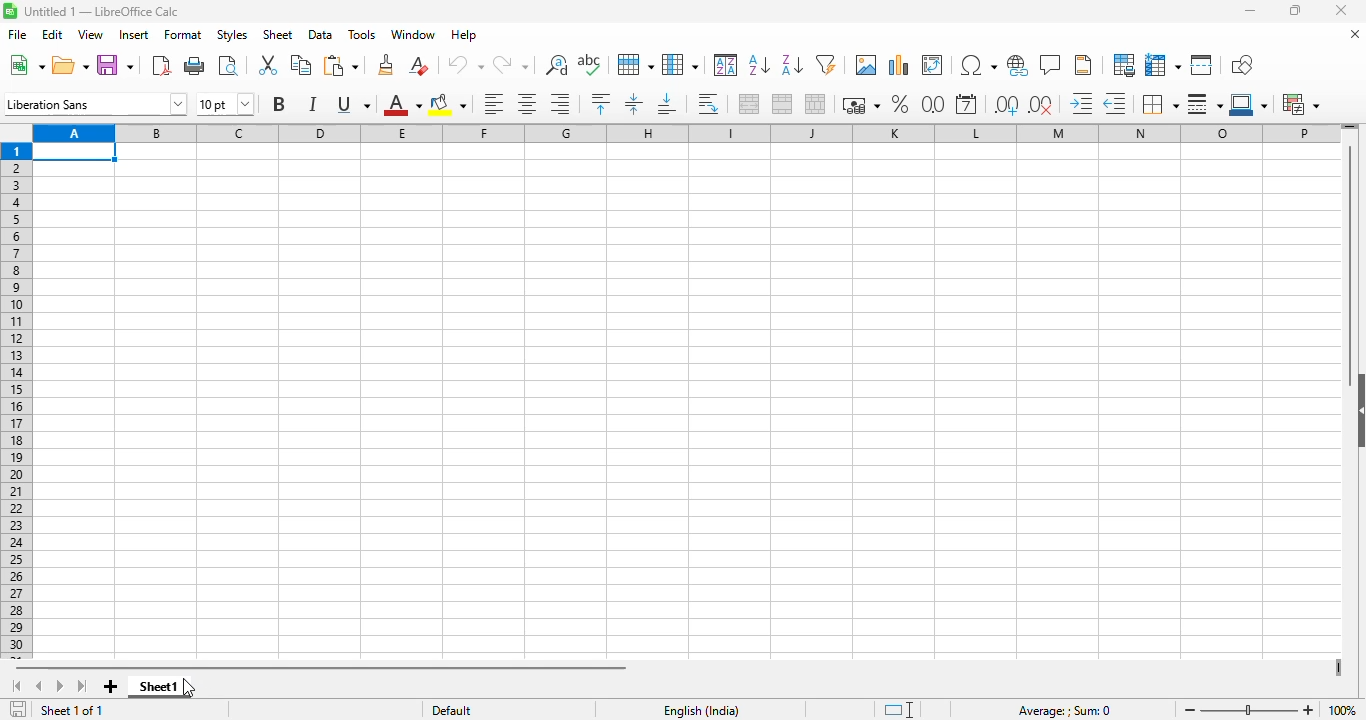 Image resolution: width=1366 pixels, height=720 pixels. What do you see at coordinates (932, 64) in the screenshot?
I see `insert or edit pivot table` at bounding box center [932, 64].